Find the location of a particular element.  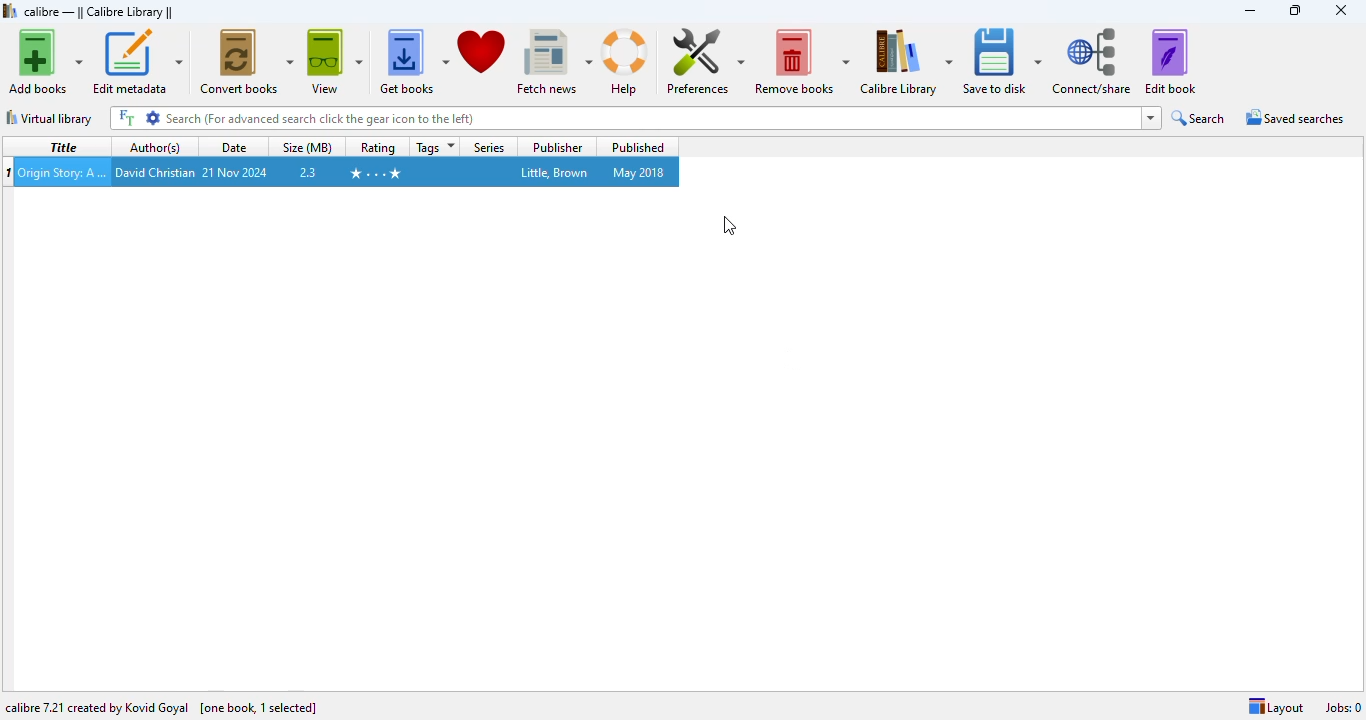

calibre 7.21 created by Kovid Goyal is located at coordinates (97, 707).